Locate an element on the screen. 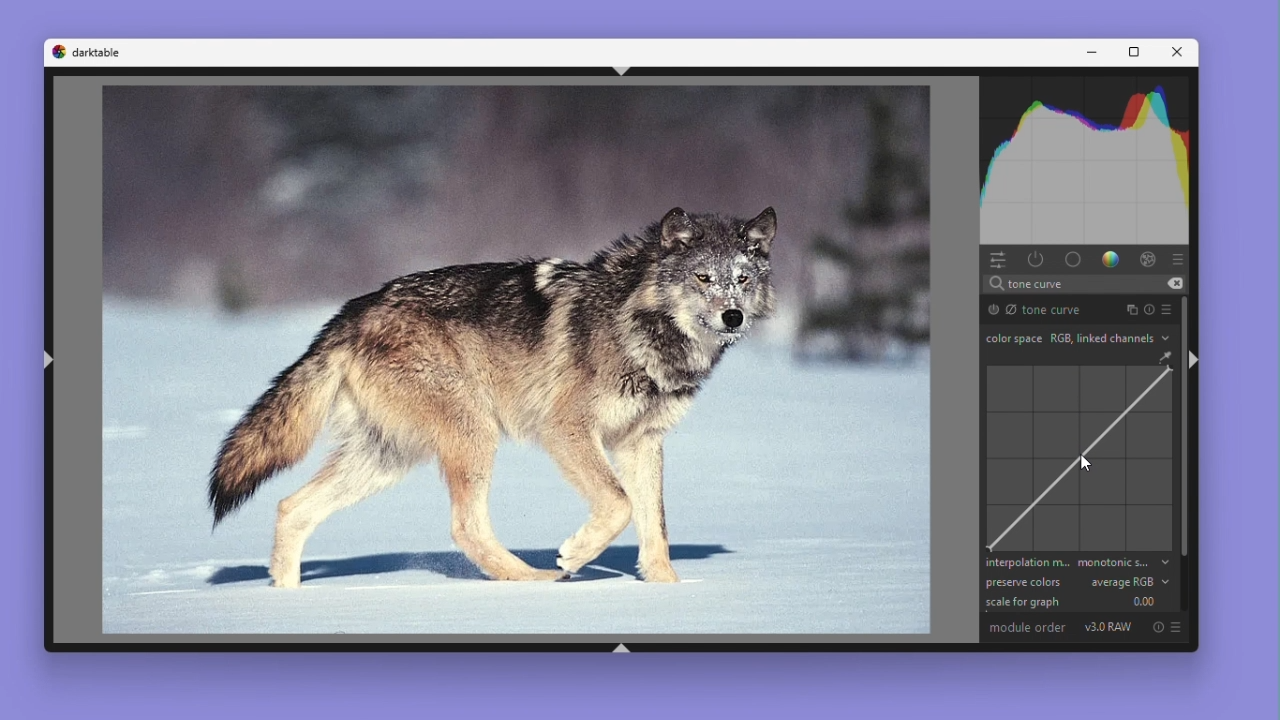 This screenshot has width=1280, height=720. V3.0 RAW is located at coordinates (1108, 628).